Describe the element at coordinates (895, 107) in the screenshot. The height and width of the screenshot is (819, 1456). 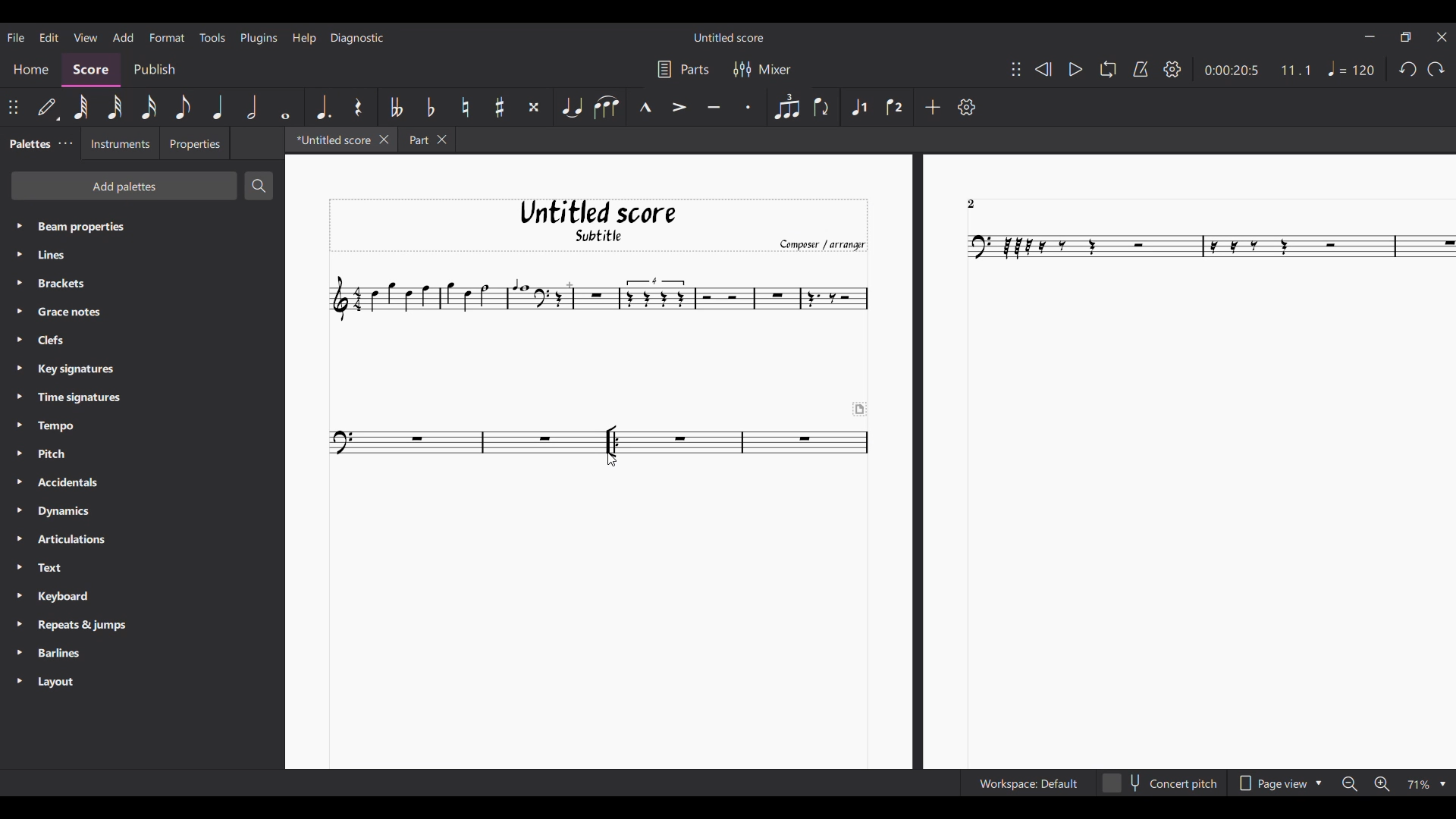
I see `Voice 2` at that location.